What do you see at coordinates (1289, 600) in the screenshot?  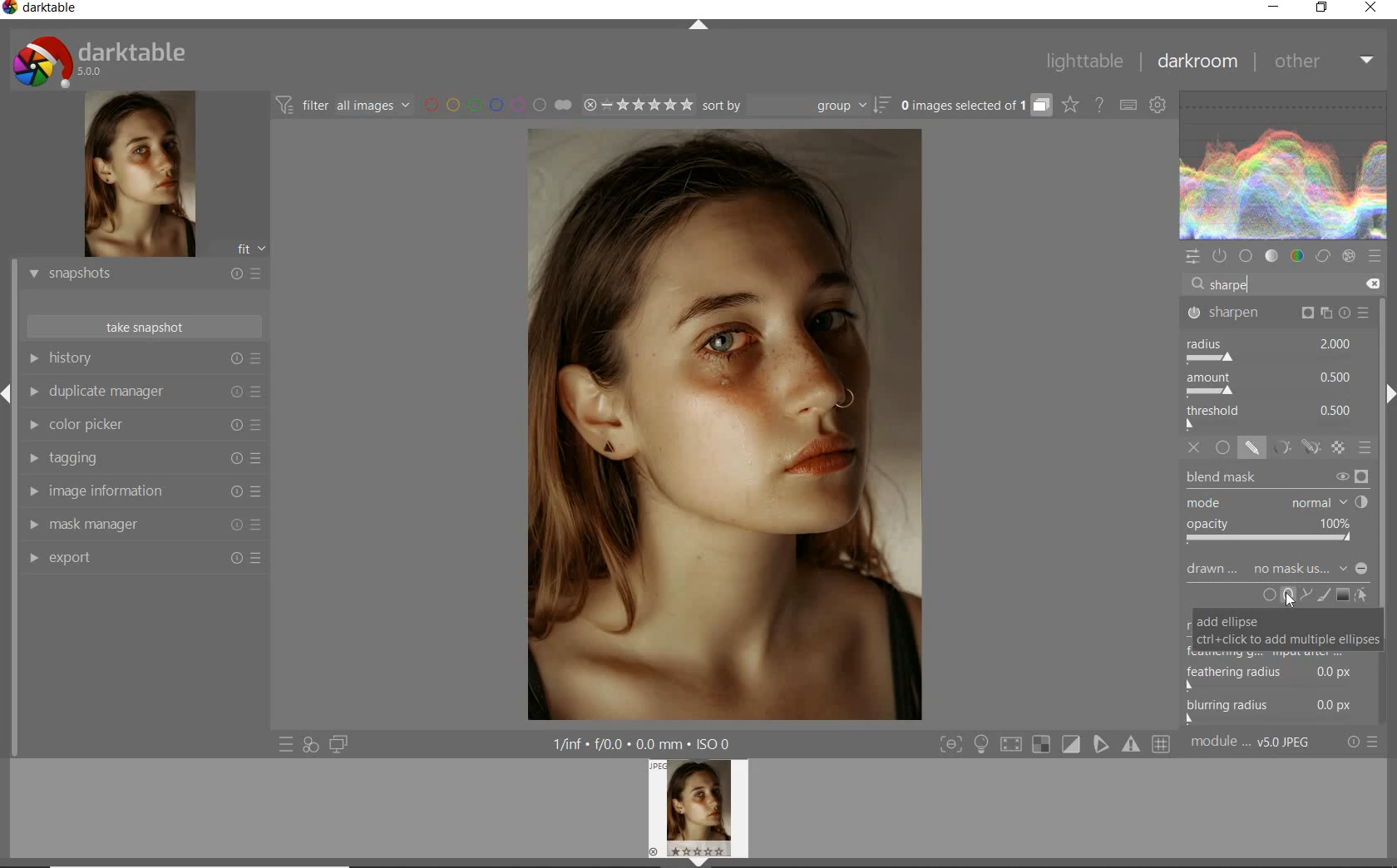 I see `CURSOR` at bounding box center [1289, 600].